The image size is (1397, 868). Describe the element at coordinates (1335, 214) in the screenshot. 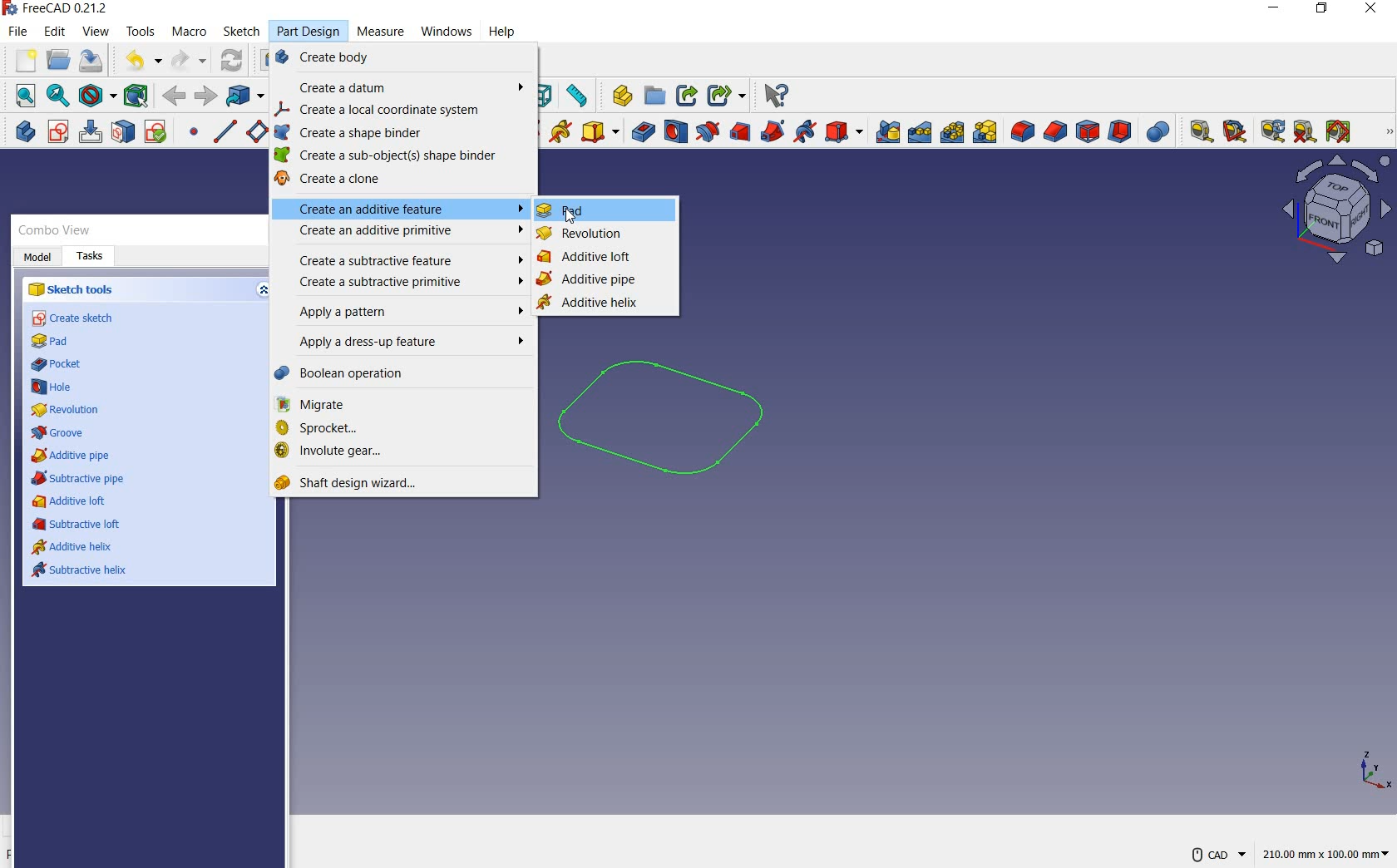

I see `view` at that location.